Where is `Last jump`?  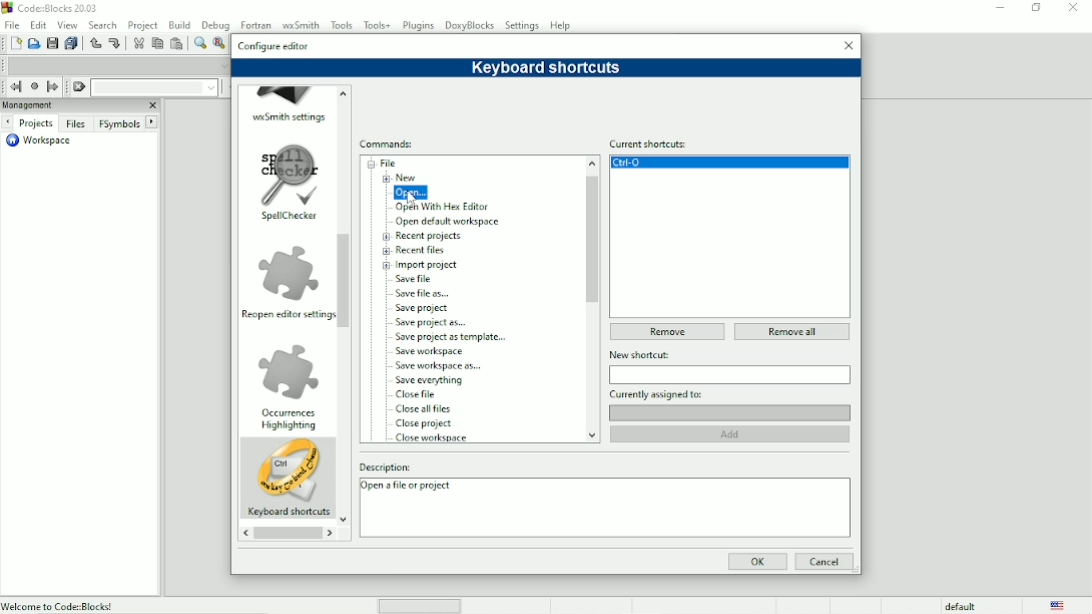 Last jump is located at coordinates (33, 86).